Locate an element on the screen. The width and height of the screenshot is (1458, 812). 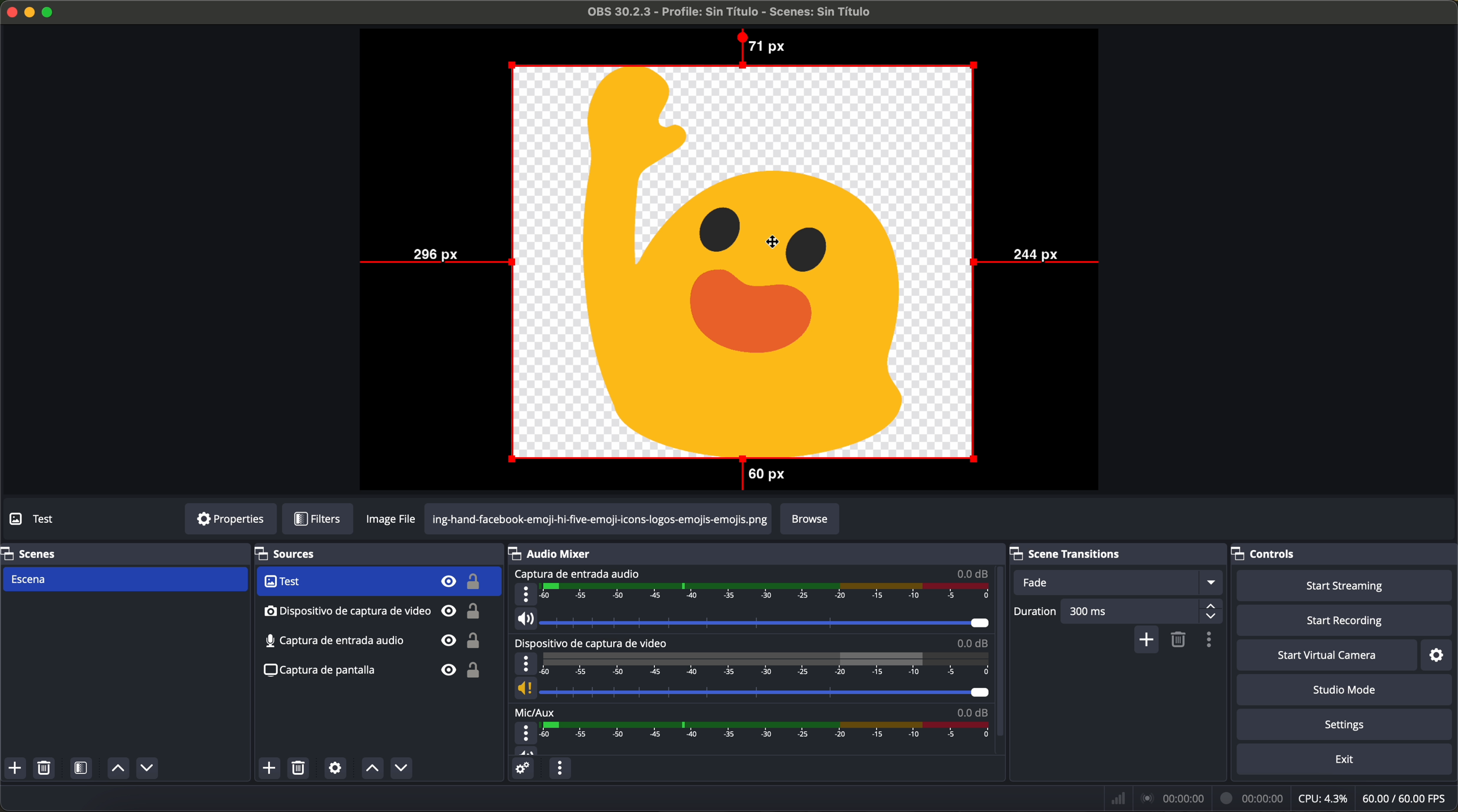
move source up is located at coordinates (372, 768).